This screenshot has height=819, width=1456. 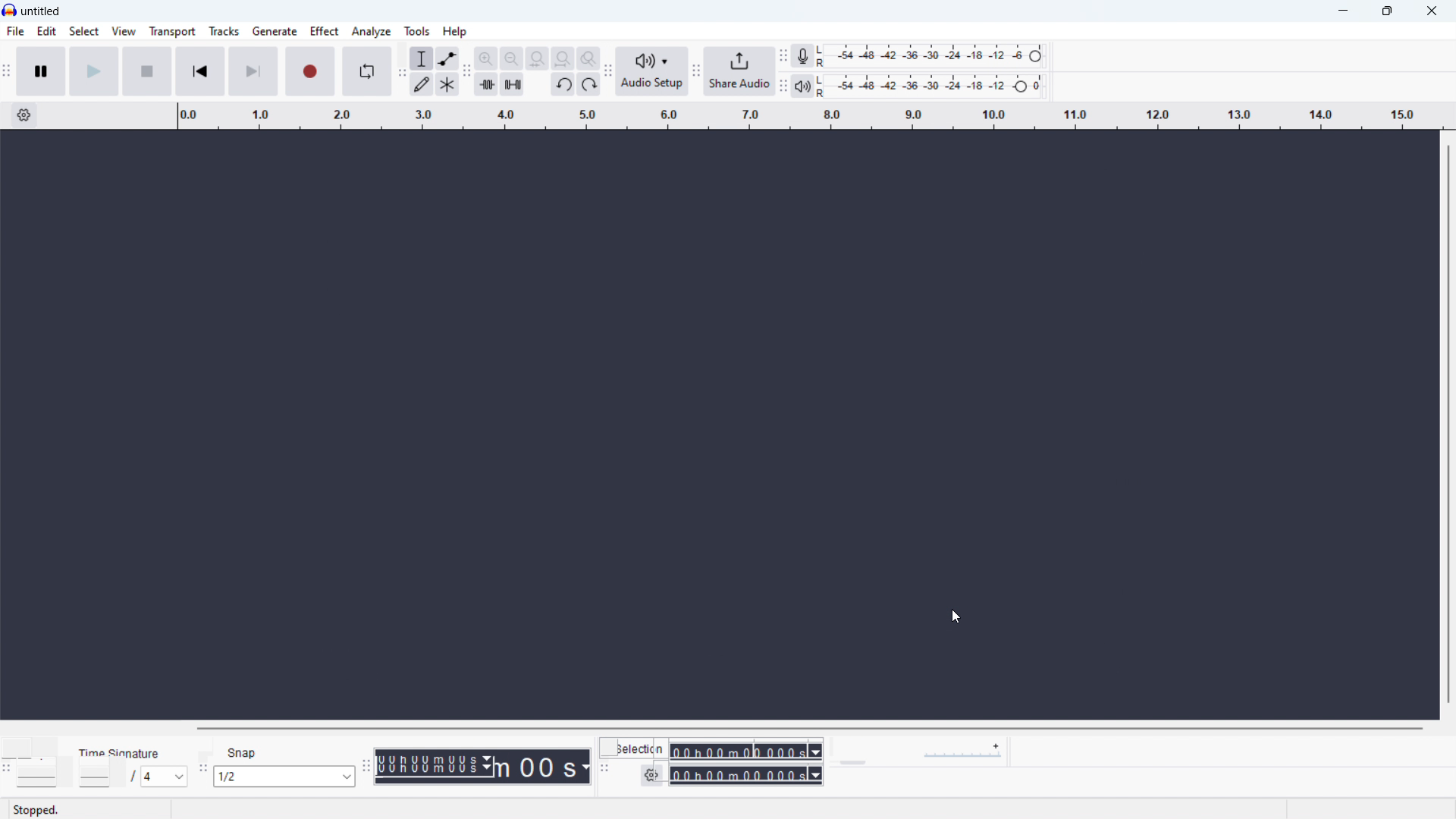 I want to click on edit, so click(x=48, y=32).